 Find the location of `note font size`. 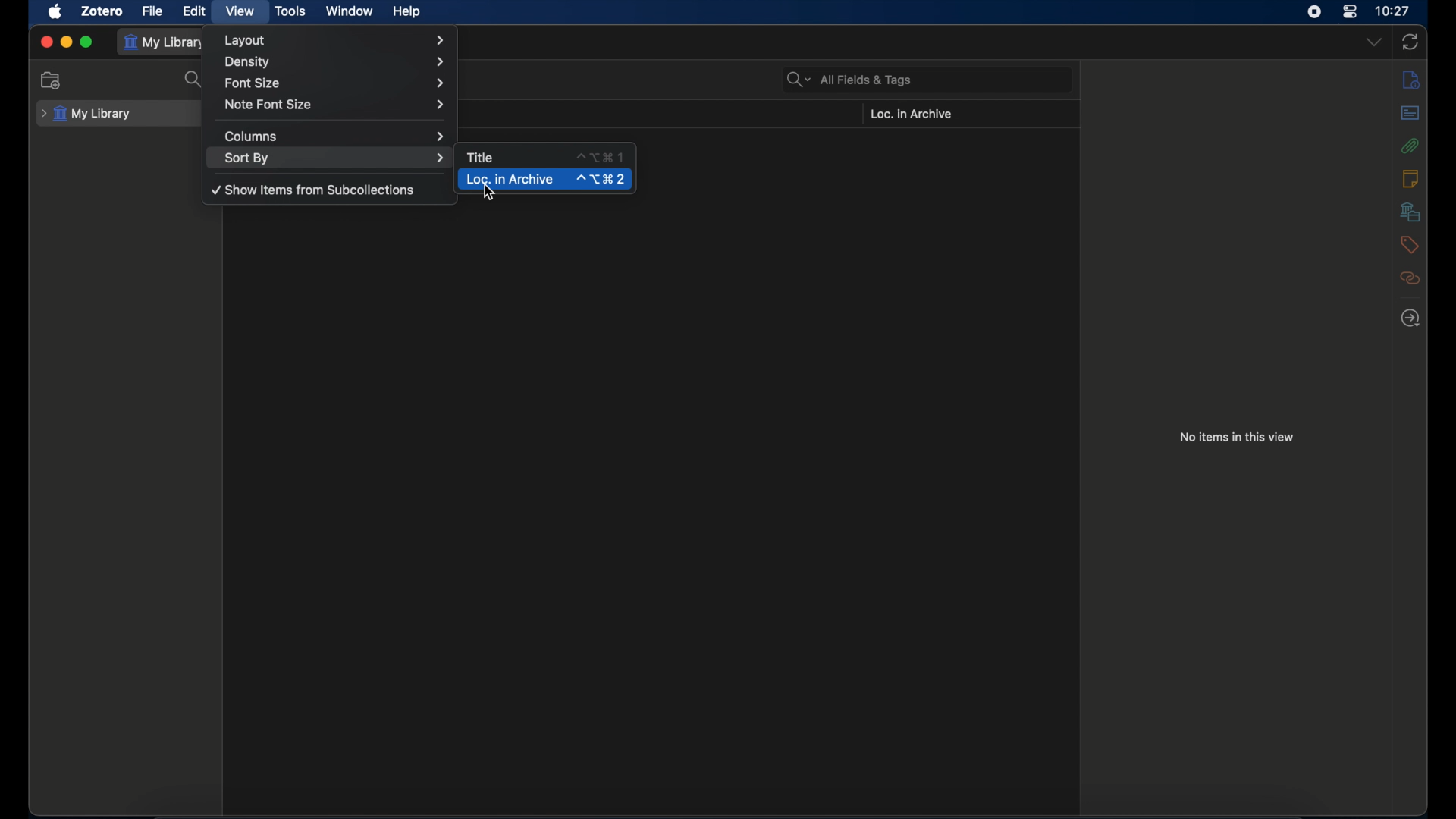

note font size is located at coordinates (334, 104).